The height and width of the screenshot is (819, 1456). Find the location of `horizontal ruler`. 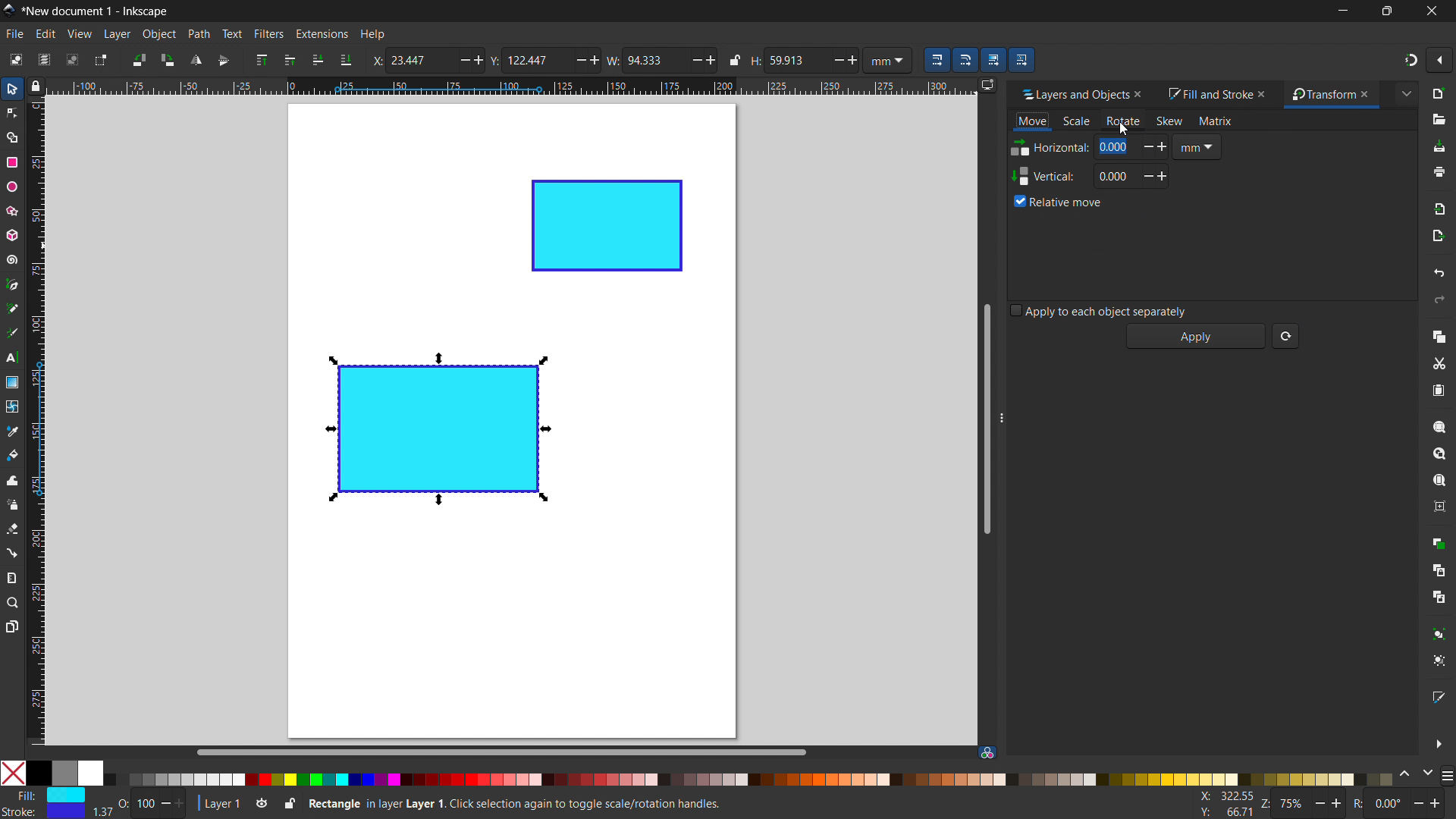

horizontal ruler is located at coordinates (510, 88).